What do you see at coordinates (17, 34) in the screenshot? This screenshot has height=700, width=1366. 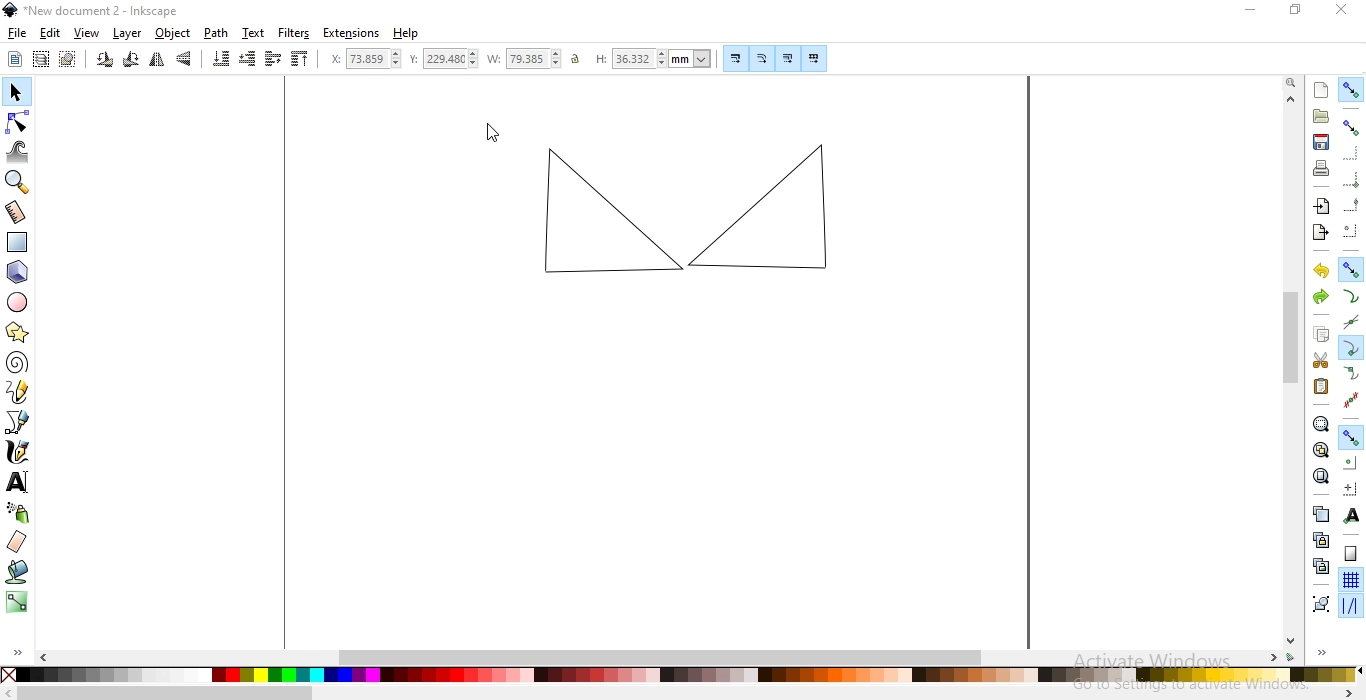 I see `file` at bounding box center [17, 34].